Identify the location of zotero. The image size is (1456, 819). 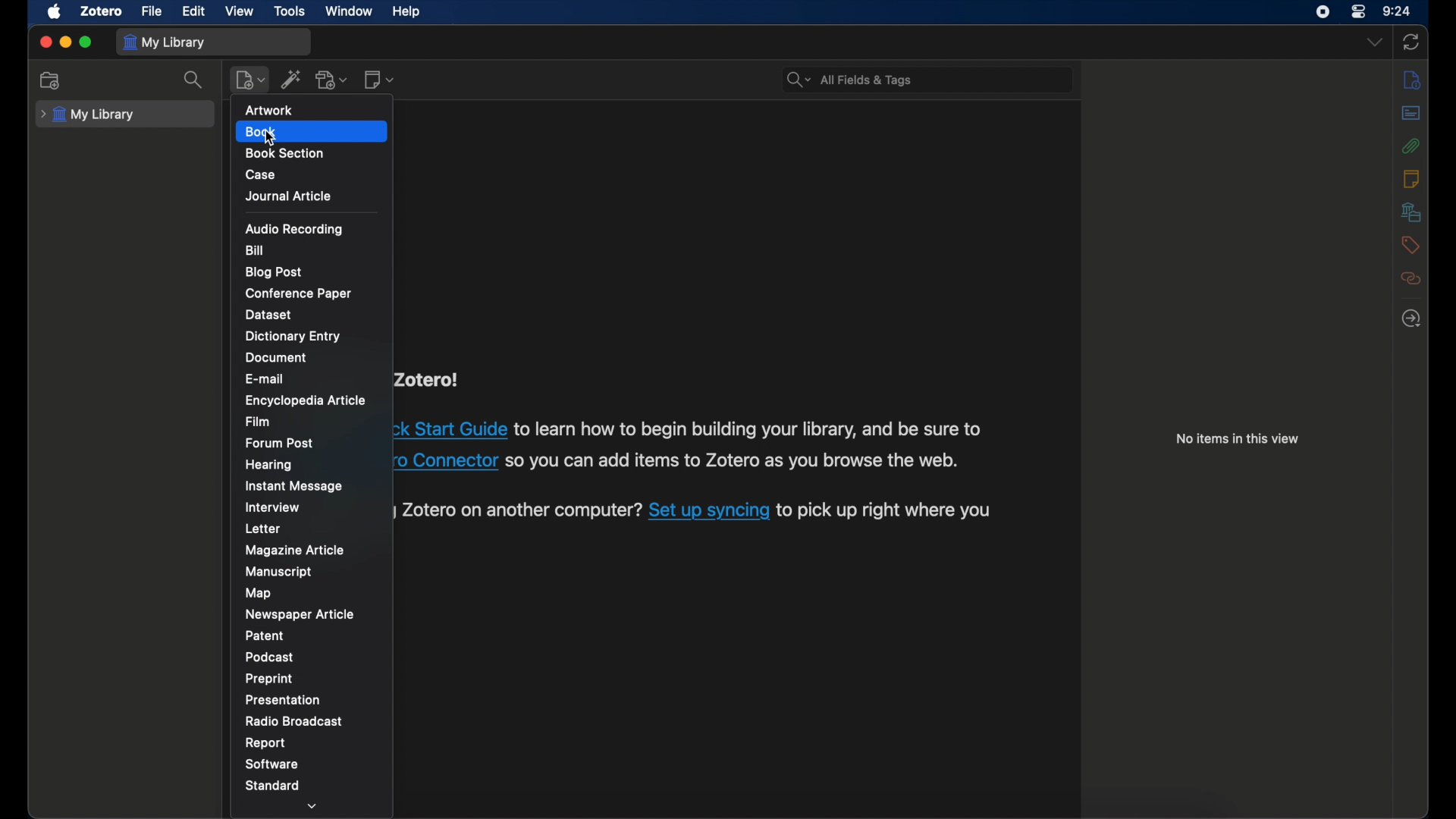
(100, 11).